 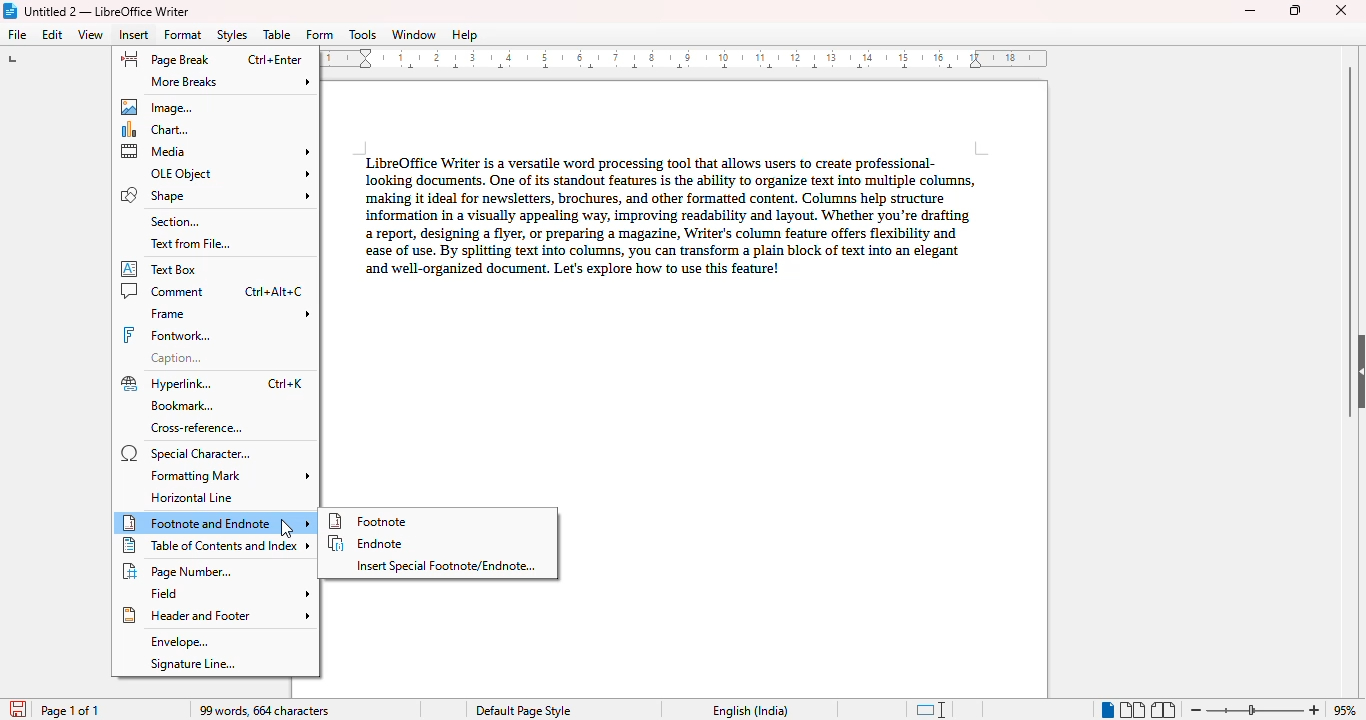 What do you see at coordinates (230, 82) in the screenshot?
I see `more breaks` at bounding box center [230, 82].